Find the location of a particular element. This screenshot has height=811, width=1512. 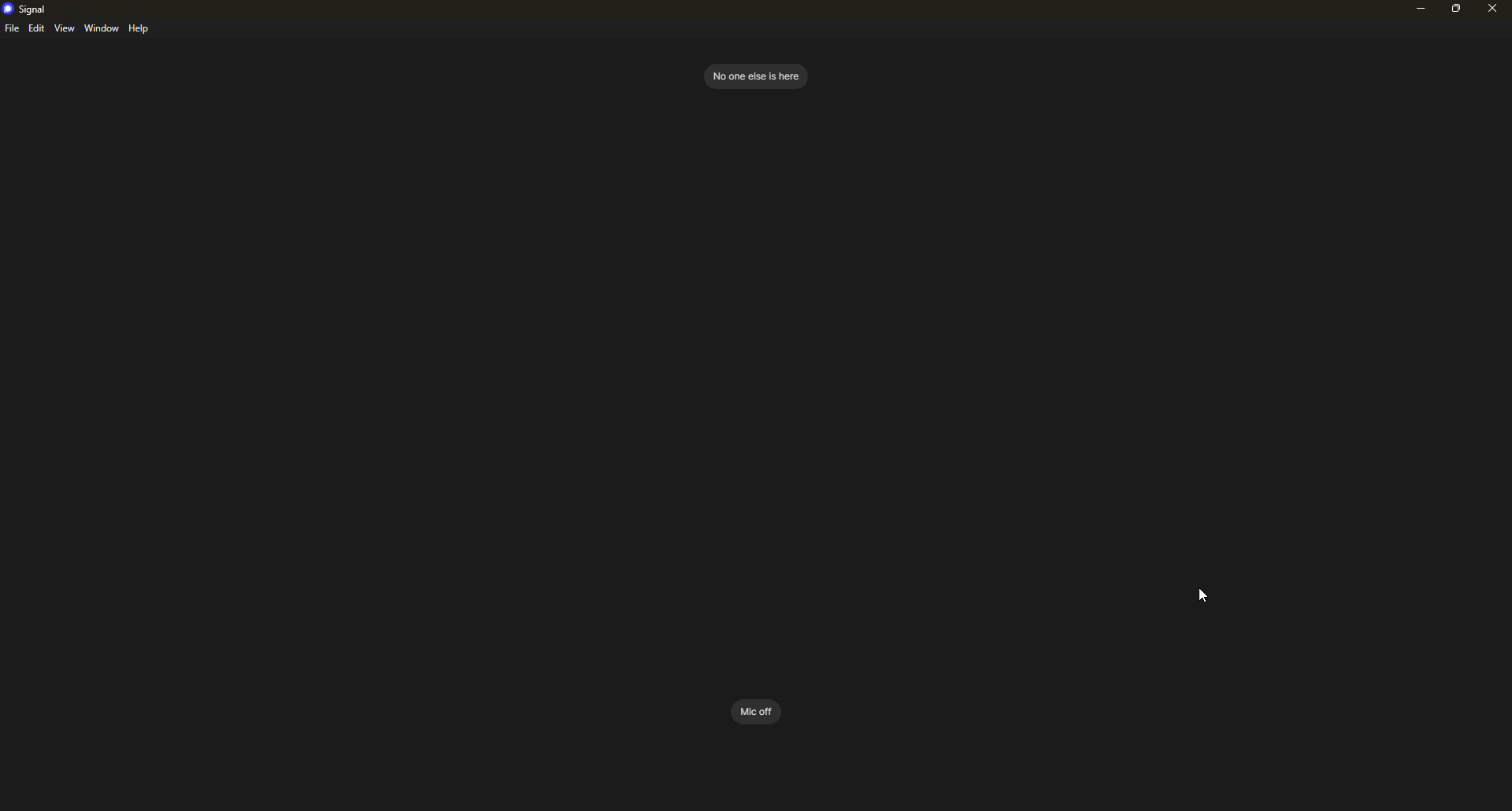

maximize is located at coordinates (1458, 9).